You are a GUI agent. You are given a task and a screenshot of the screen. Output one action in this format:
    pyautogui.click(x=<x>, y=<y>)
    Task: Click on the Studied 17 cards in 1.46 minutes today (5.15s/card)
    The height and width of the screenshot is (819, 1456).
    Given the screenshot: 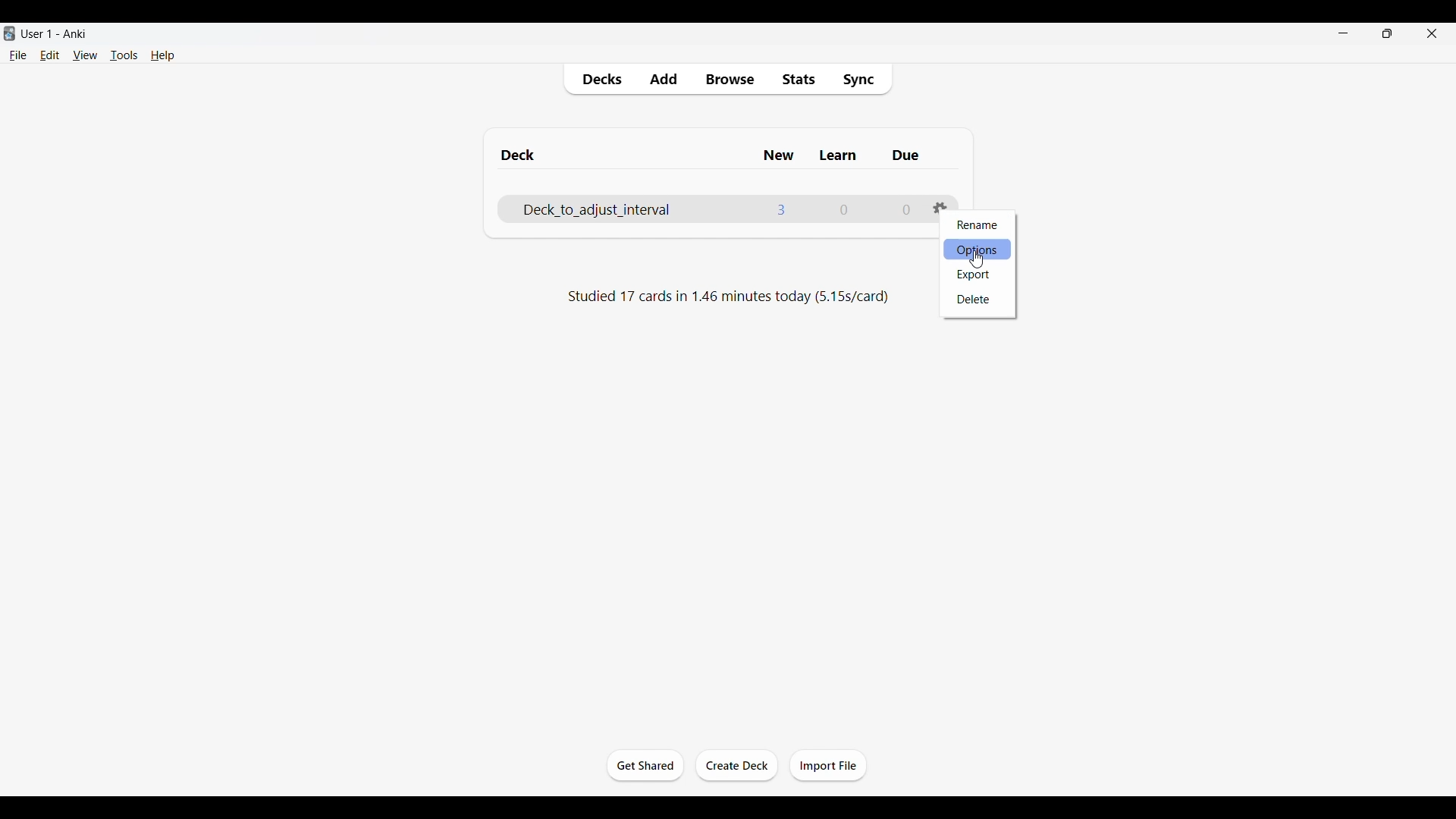 What is the action you would take?
    pyautogui.click(x=731, y=296)
    